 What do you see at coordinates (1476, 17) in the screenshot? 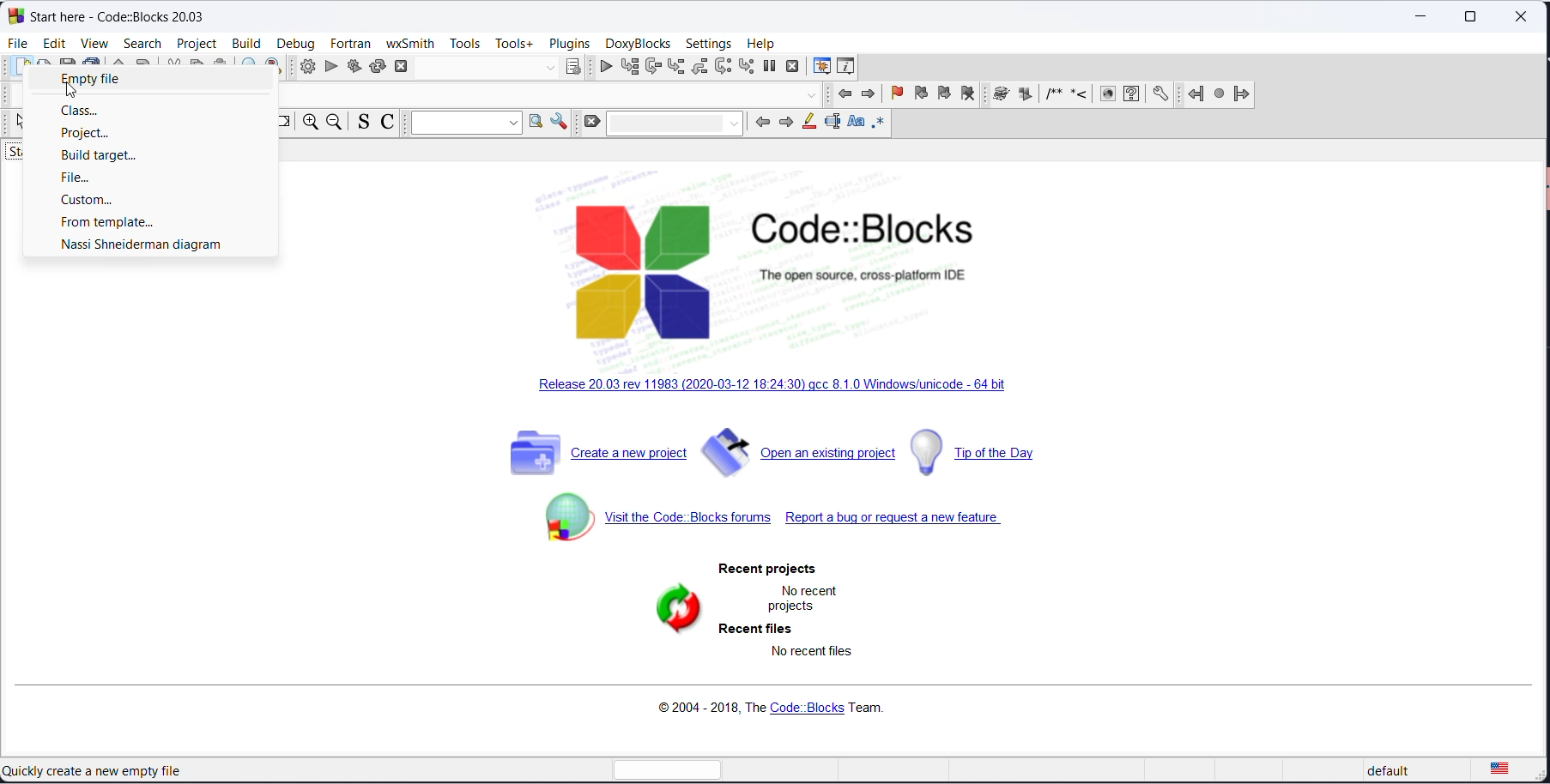
I see `maximize` at bounding box center [1476, 17].